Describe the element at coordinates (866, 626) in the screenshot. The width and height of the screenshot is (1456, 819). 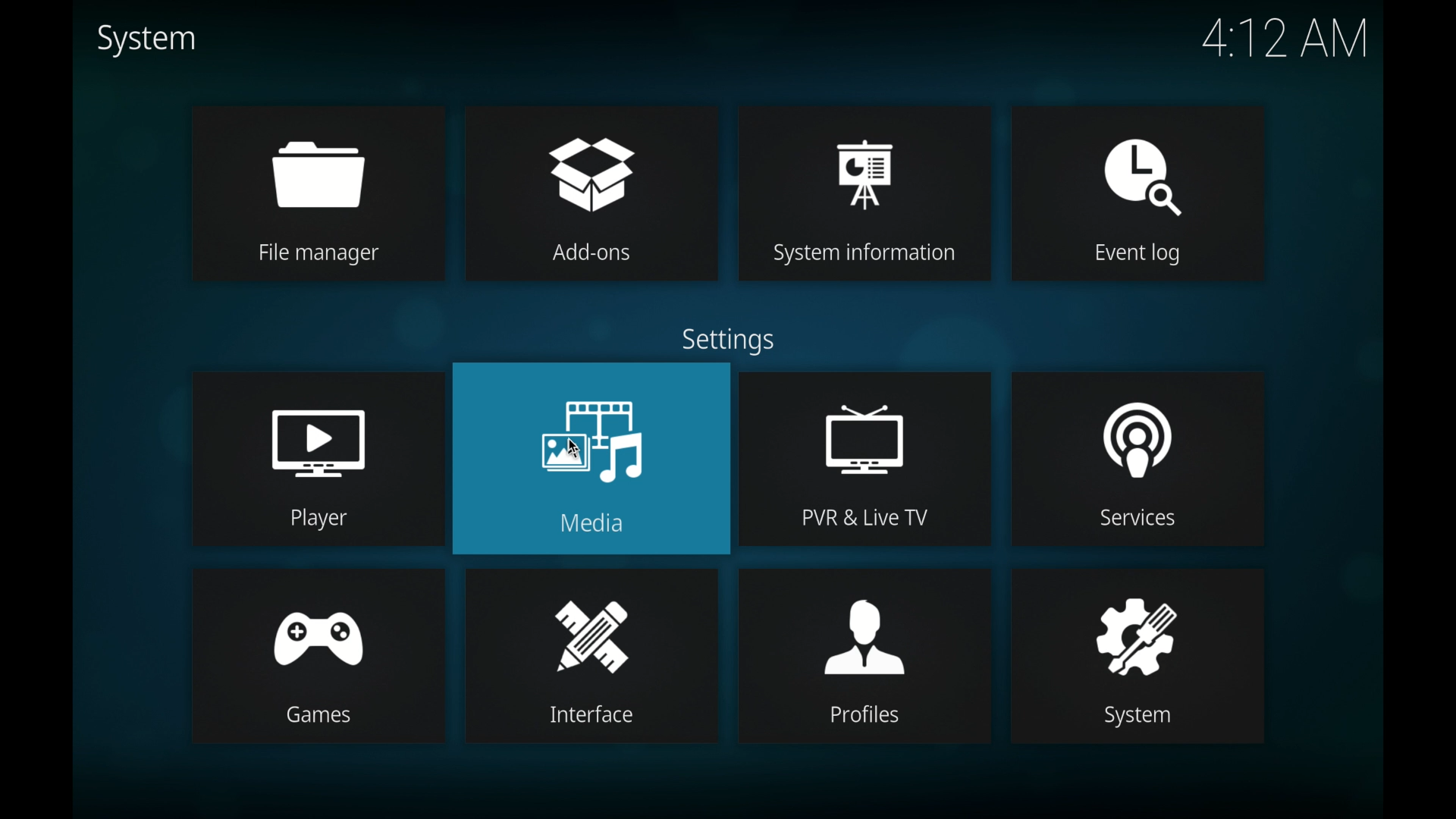
I see `profiles` at that location.